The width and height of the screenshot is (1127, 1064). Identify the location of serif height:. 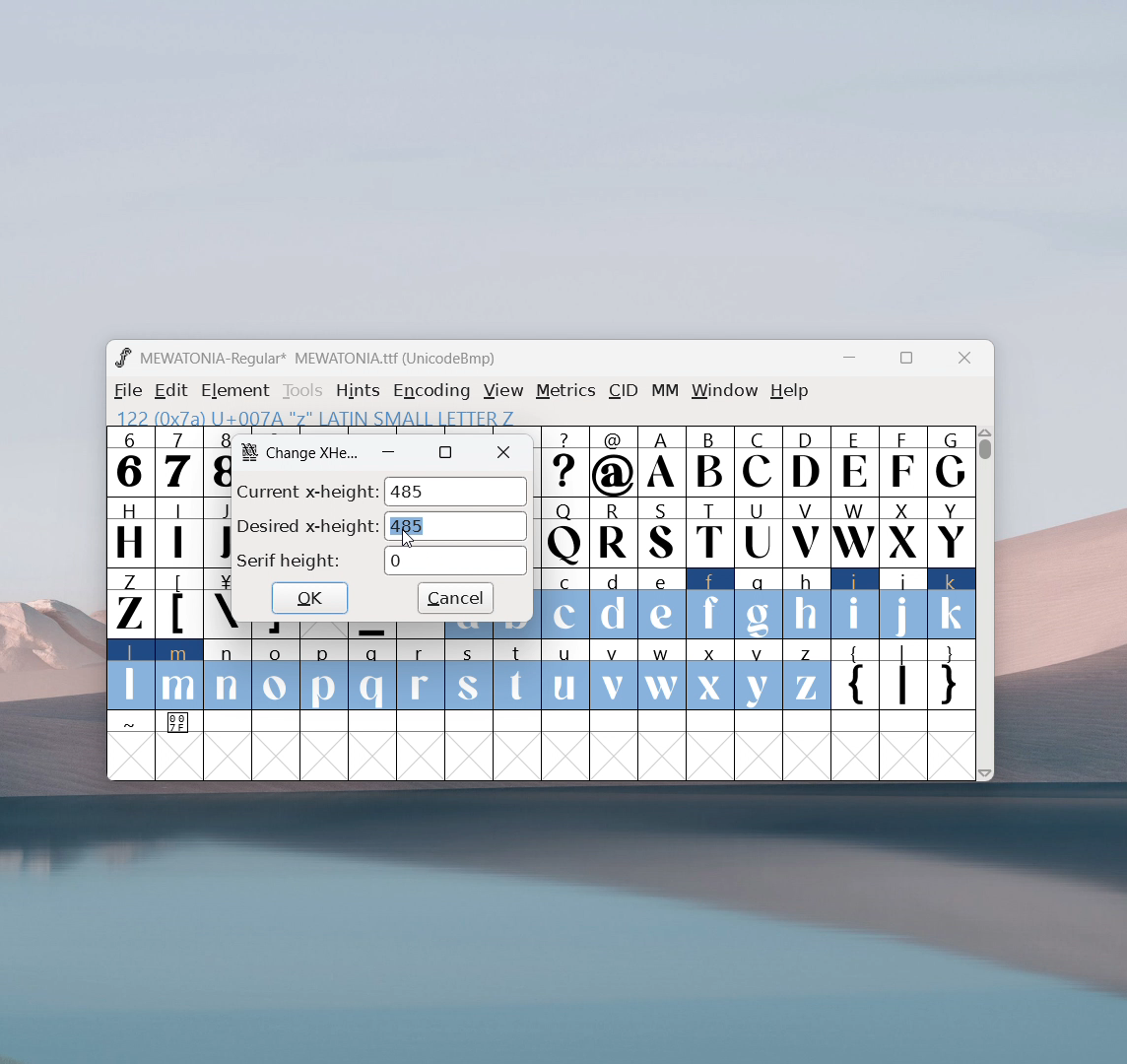
(289, 562).